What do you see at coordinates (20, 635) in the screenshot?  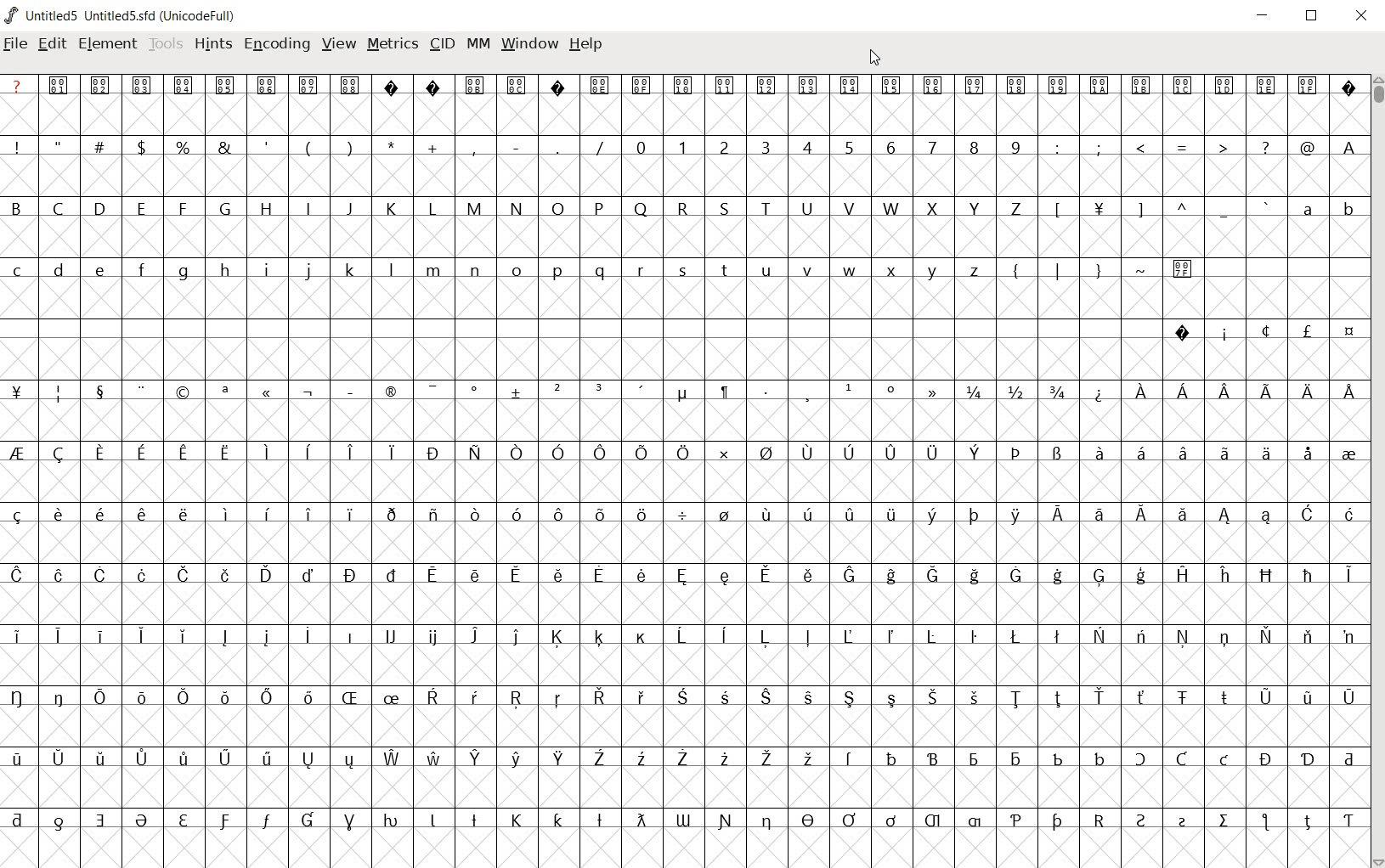 I see `Symbol` at bounding box center [20, 635].